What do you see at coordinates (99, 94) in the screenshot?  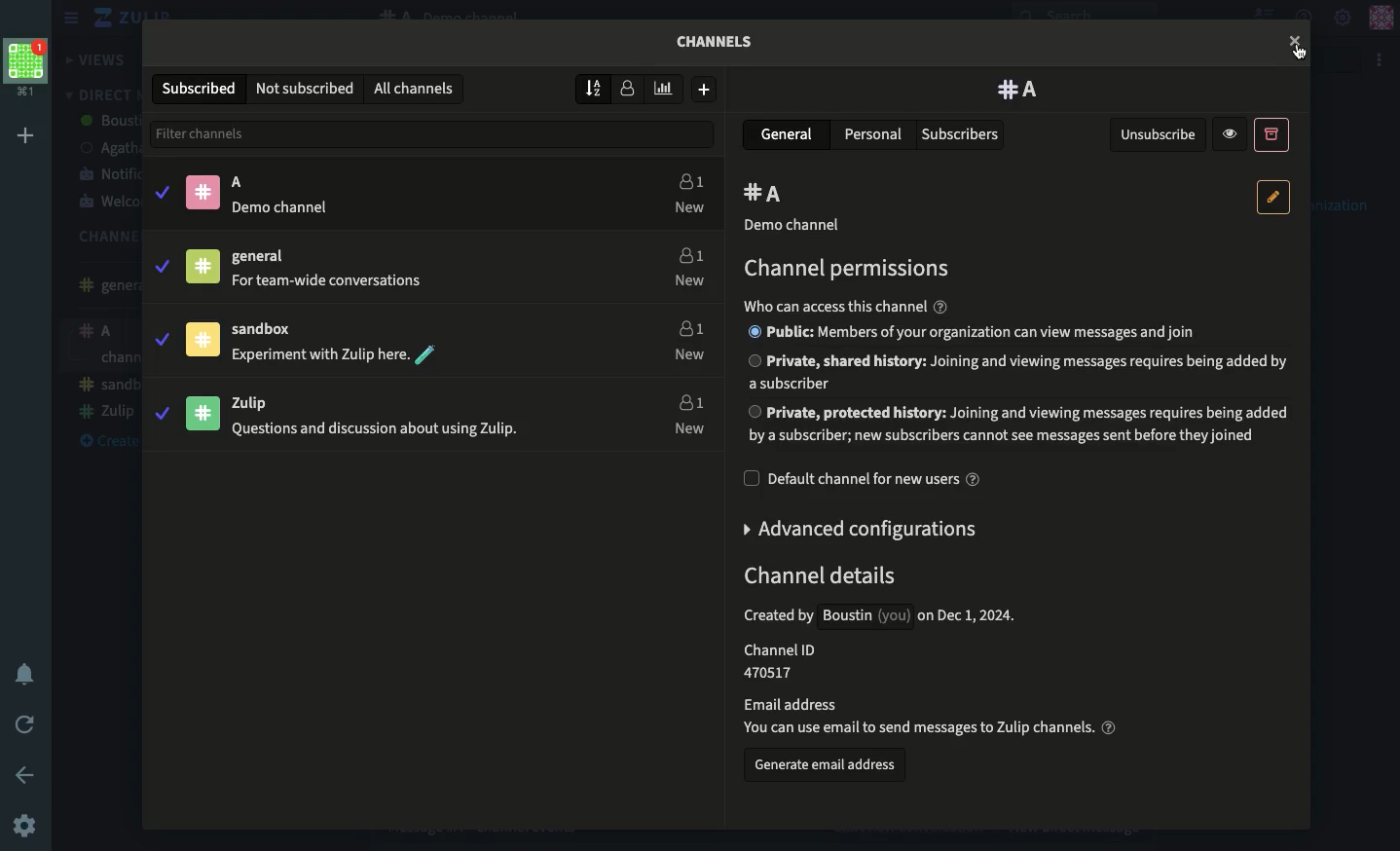 I see `DM` at bounding box center [99, 94].